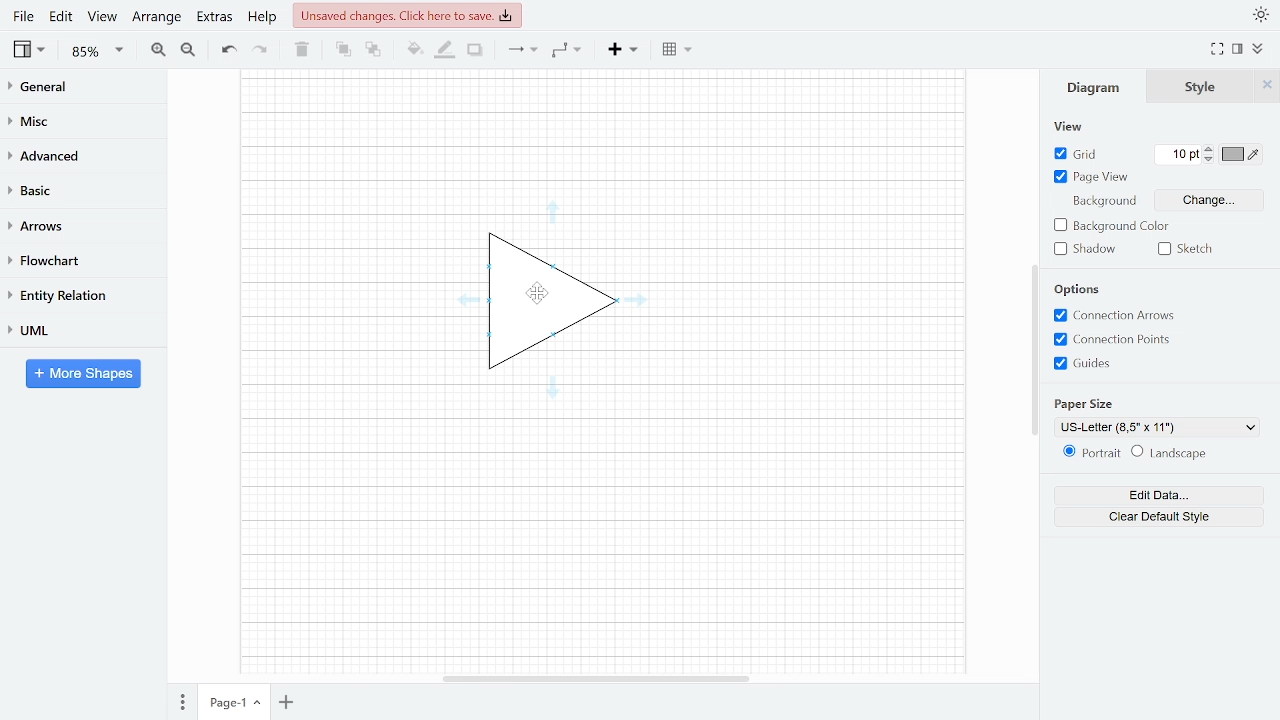 This screenshot has height=720, width=1280. What do you see at coordinates (1071, 128) in the screenshot?
I see `view` at bounding box center [1071, 128].